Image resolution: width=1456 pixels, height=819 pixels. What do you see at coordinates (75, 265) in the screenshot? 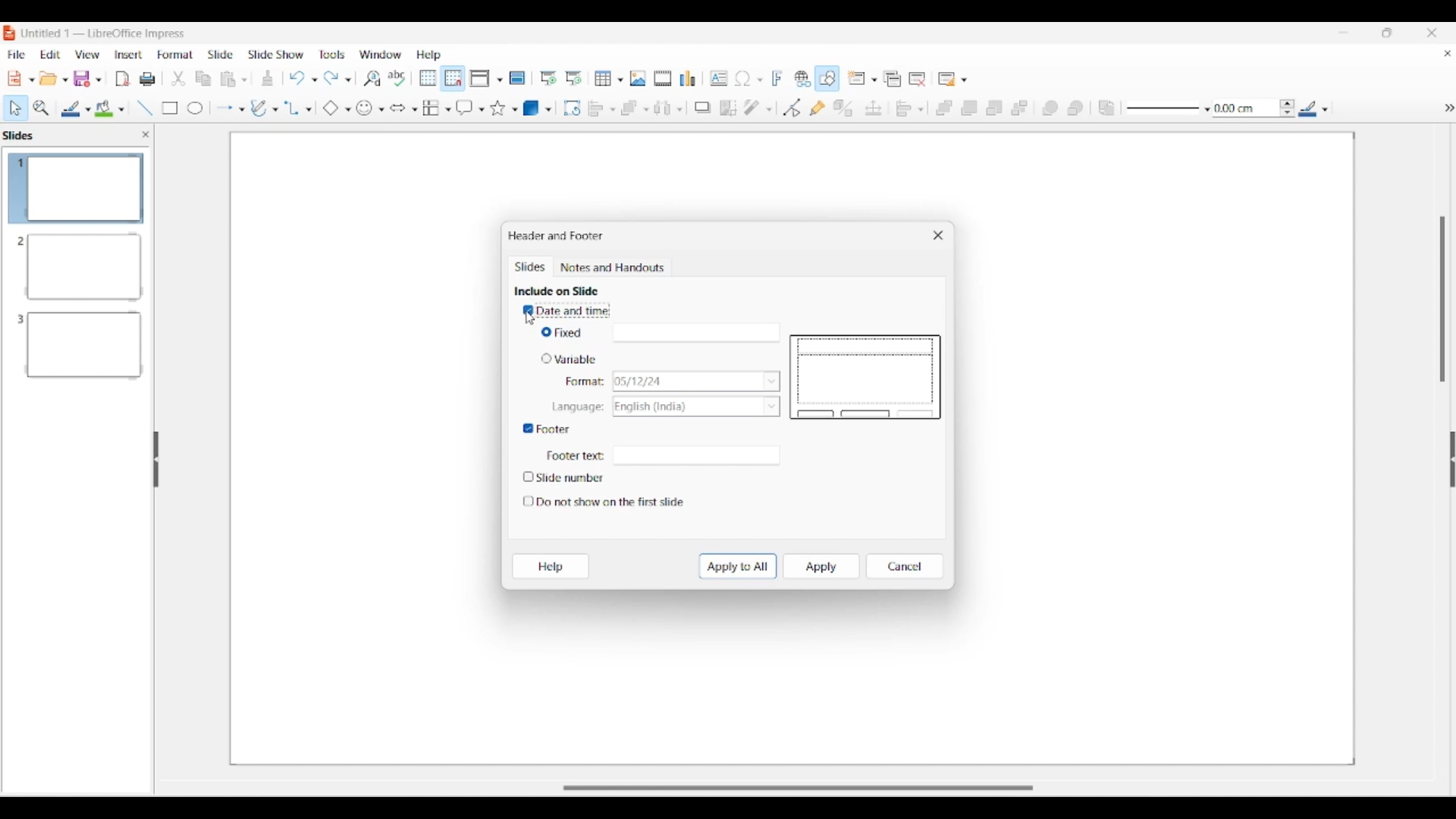
I see `Slide 2` at bounding box center [75, 265].